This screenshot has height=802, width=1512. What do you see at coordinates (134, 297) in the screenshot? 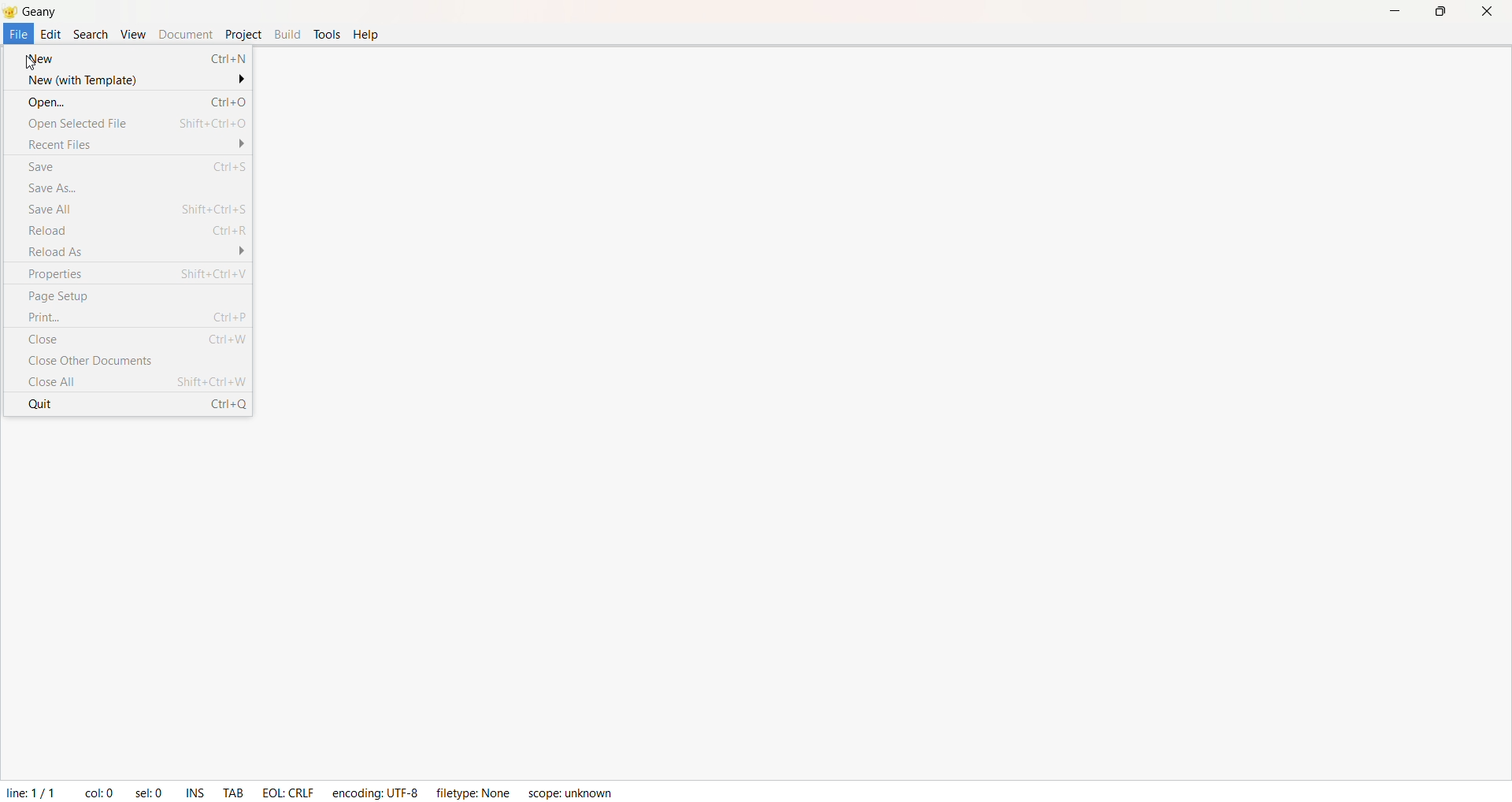
I see `Page Setup` at bounding box center [134, 297].